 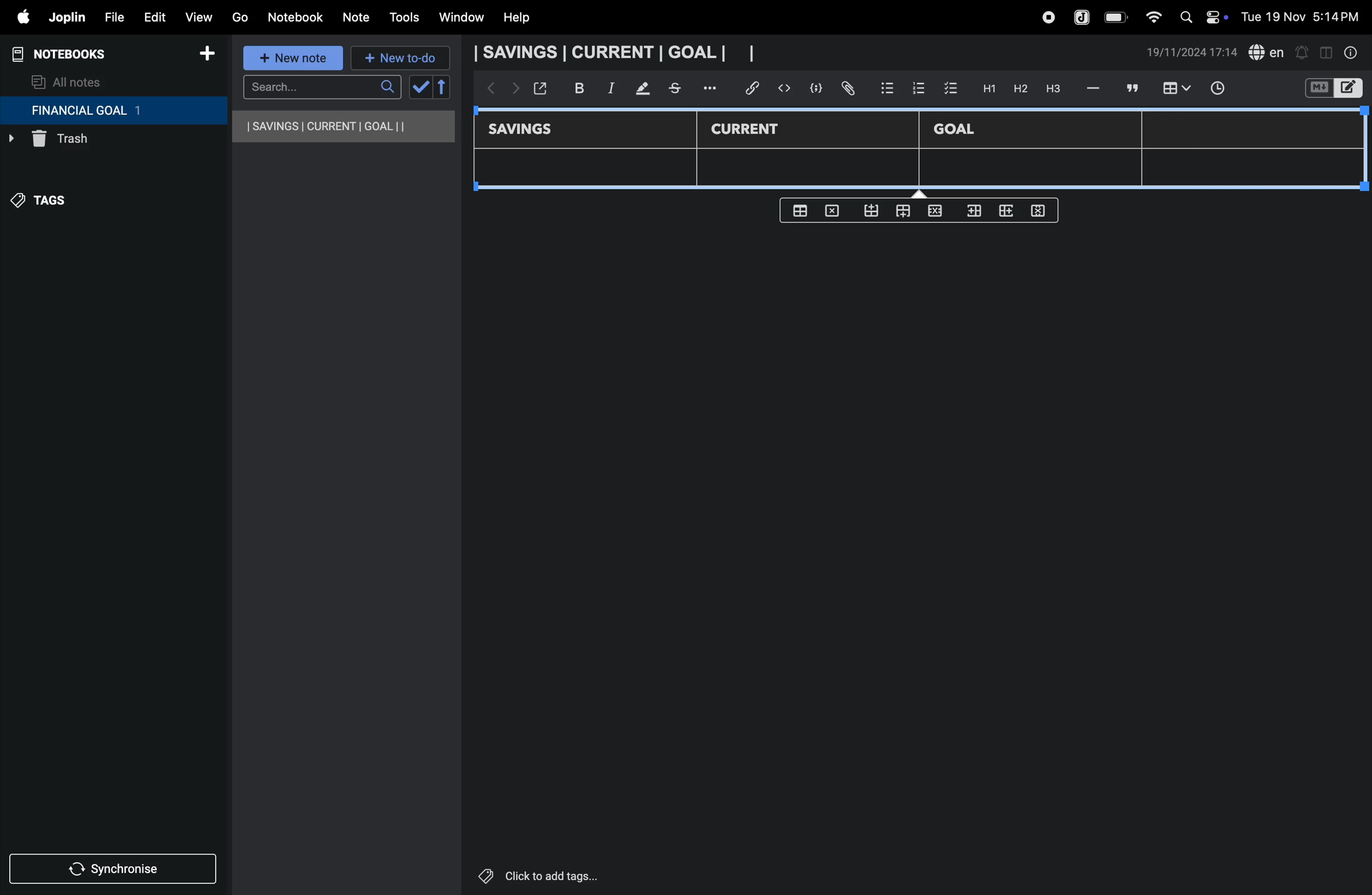 What do you see at coordinates (240, 16) in the screenshot?
I see `go` at bounding box center [240, 16].